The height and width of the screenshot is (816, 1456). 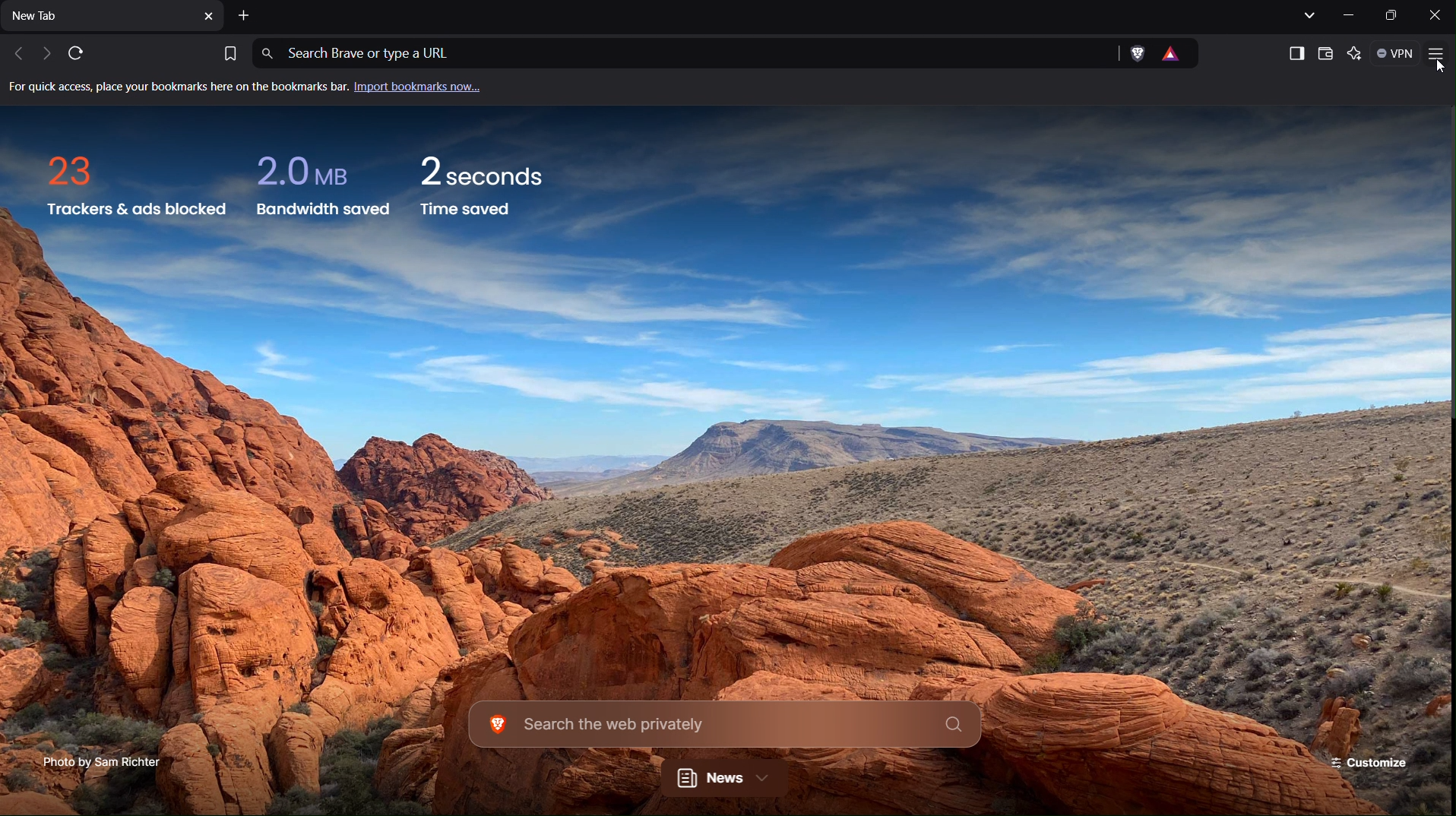 I want to click on Close, so click(x=1438, y=15).